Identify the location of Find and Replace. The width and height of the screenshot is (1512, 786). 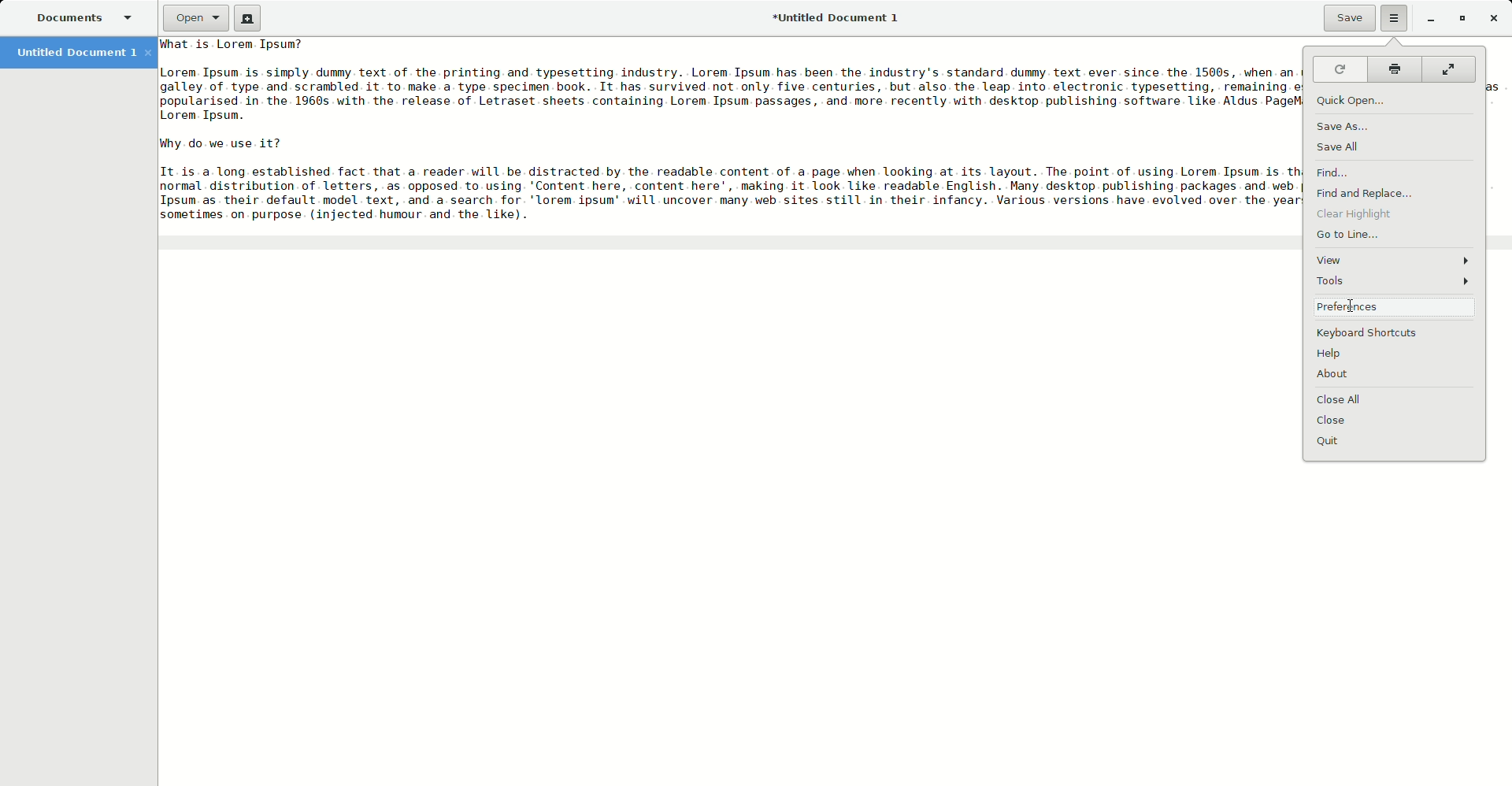
(1369, 193).